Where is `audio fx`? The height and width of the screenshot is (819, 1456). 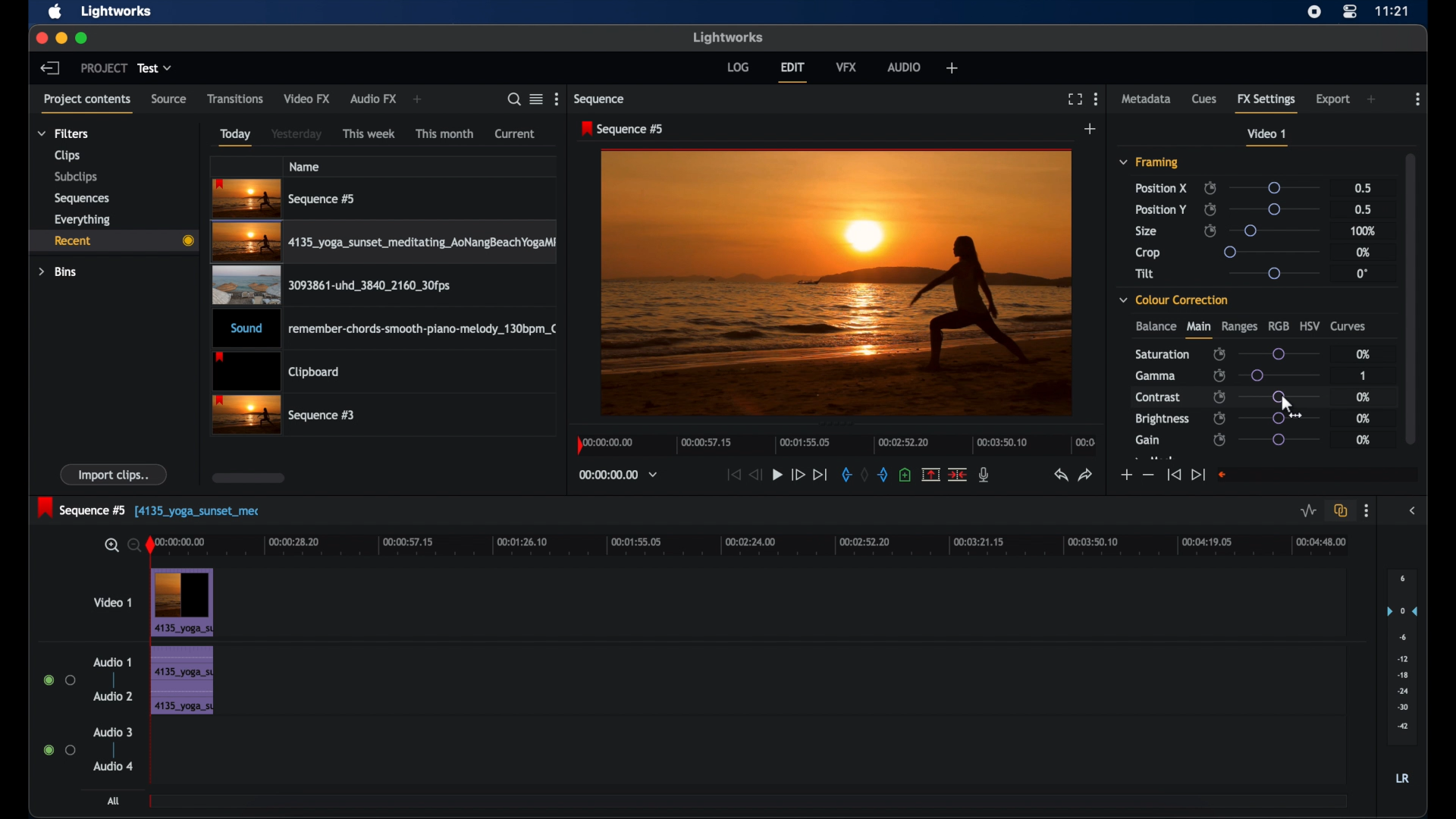
audio fx is located at coordinates (373, 99).